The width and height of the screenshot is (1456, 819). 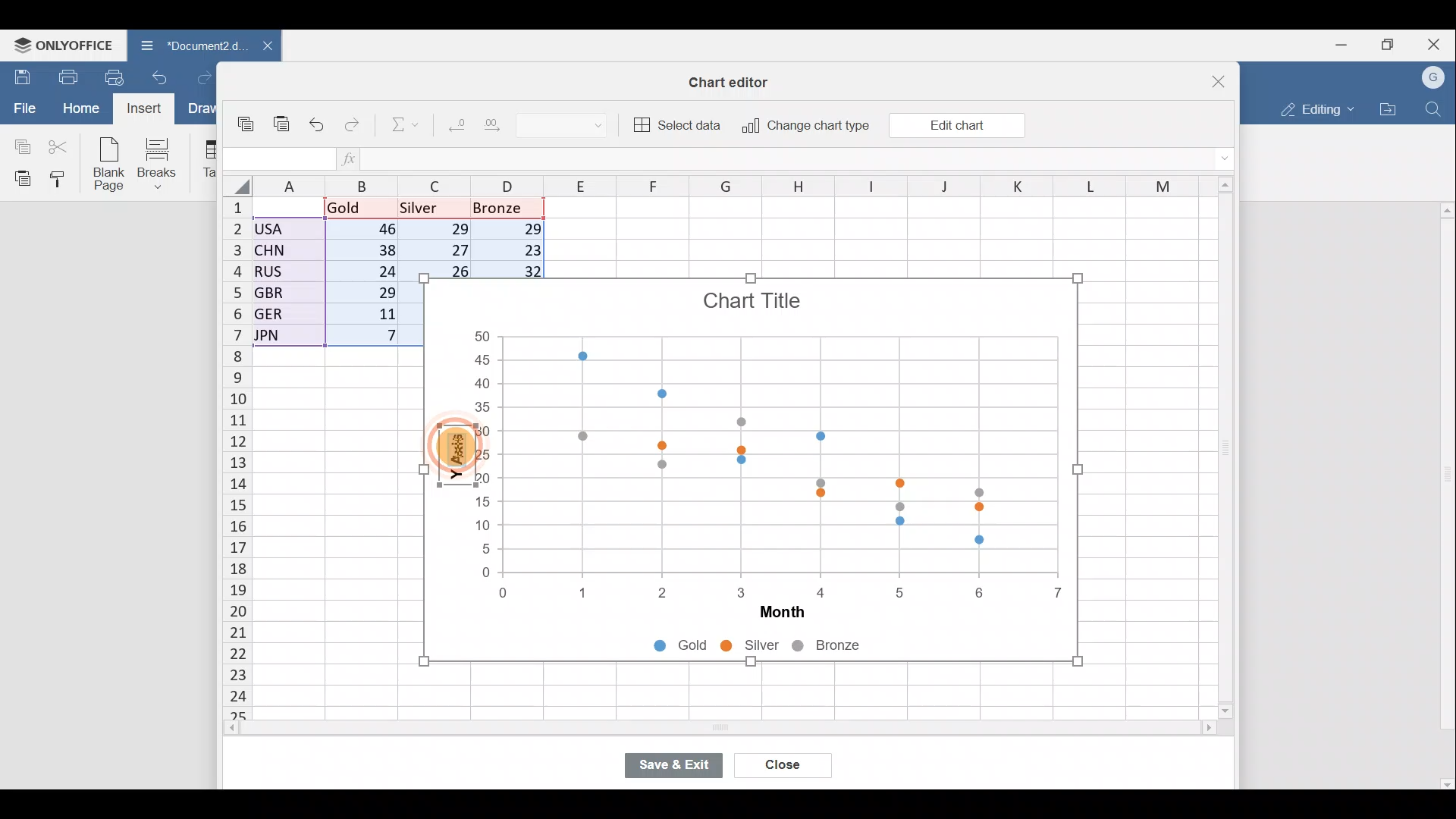 What do you see at coordinates (111, 165) in the screenshot?
I see `Blank page` at bounding box center [111, 165].